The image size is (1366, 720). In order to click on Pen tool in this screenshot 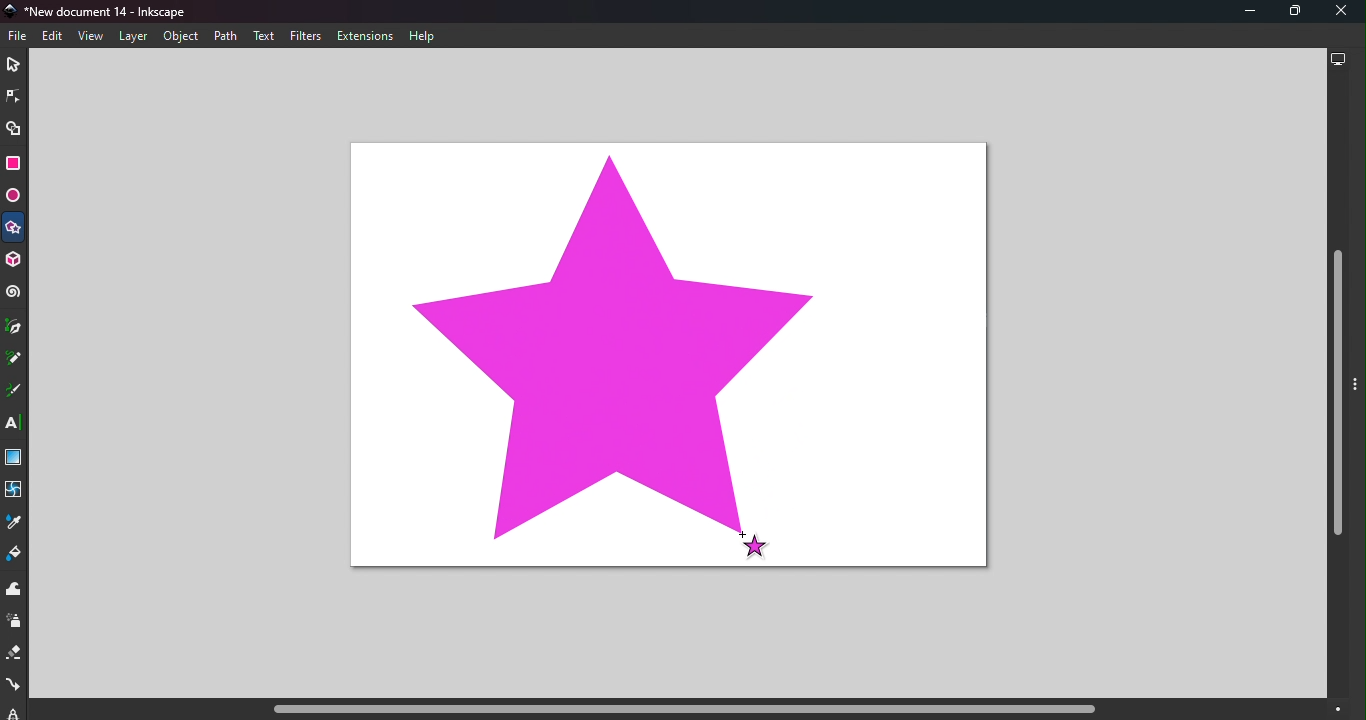, I will do `click(15, 327)`.